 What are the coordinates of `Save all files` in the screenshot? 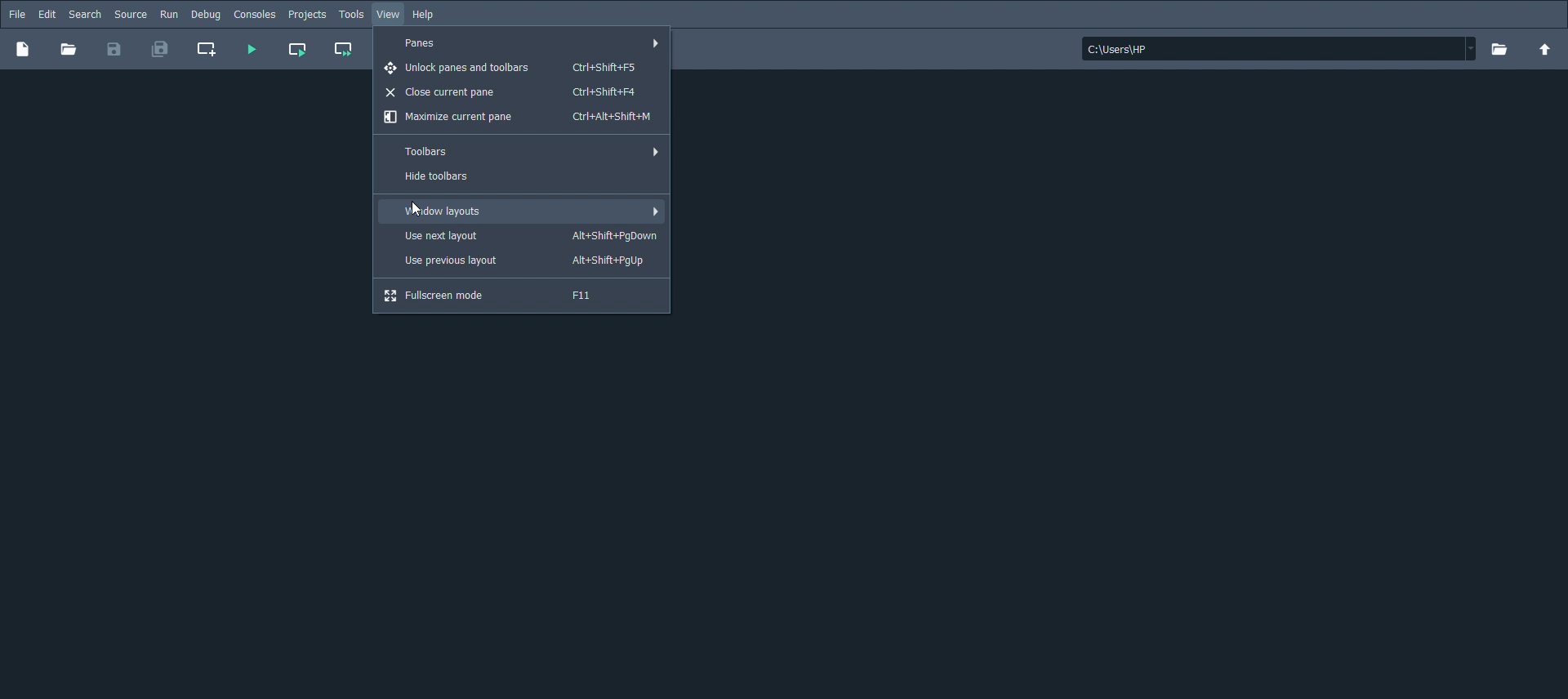 It's located at (159, 49).